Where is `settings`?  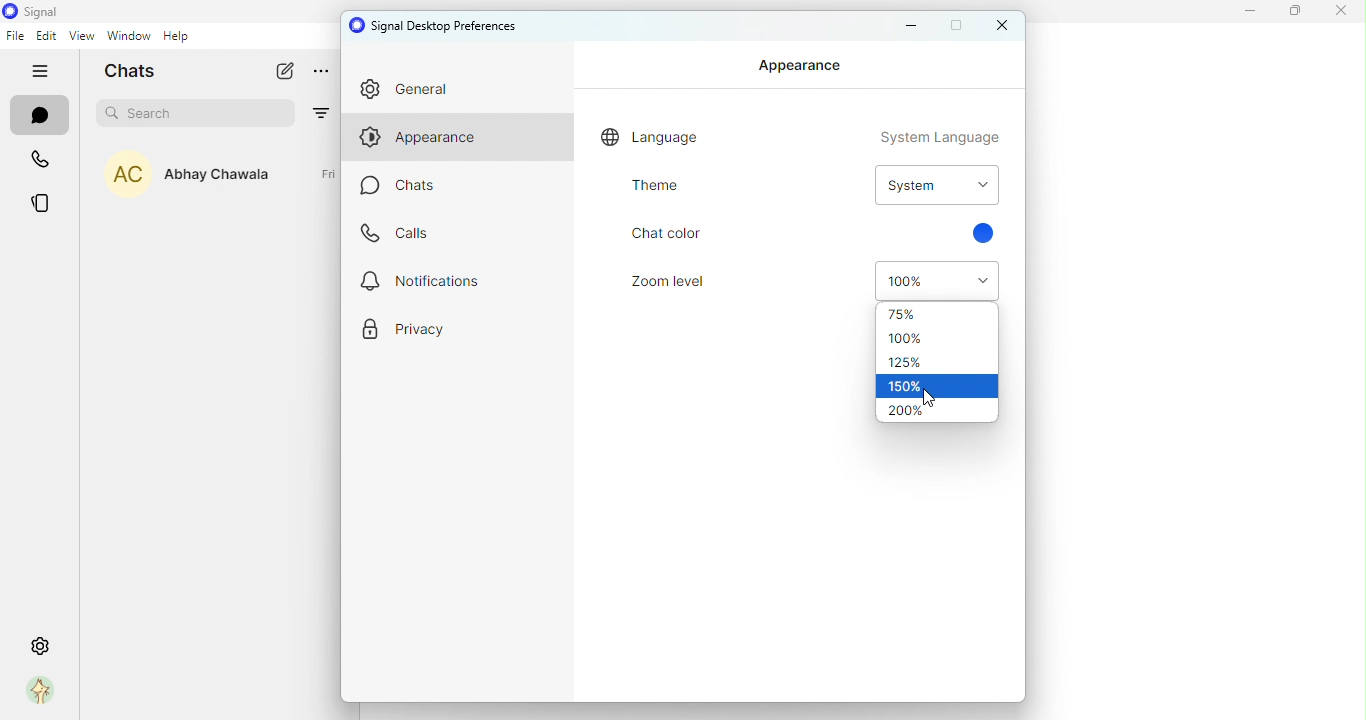
settings is located at coordinates (40, 645).